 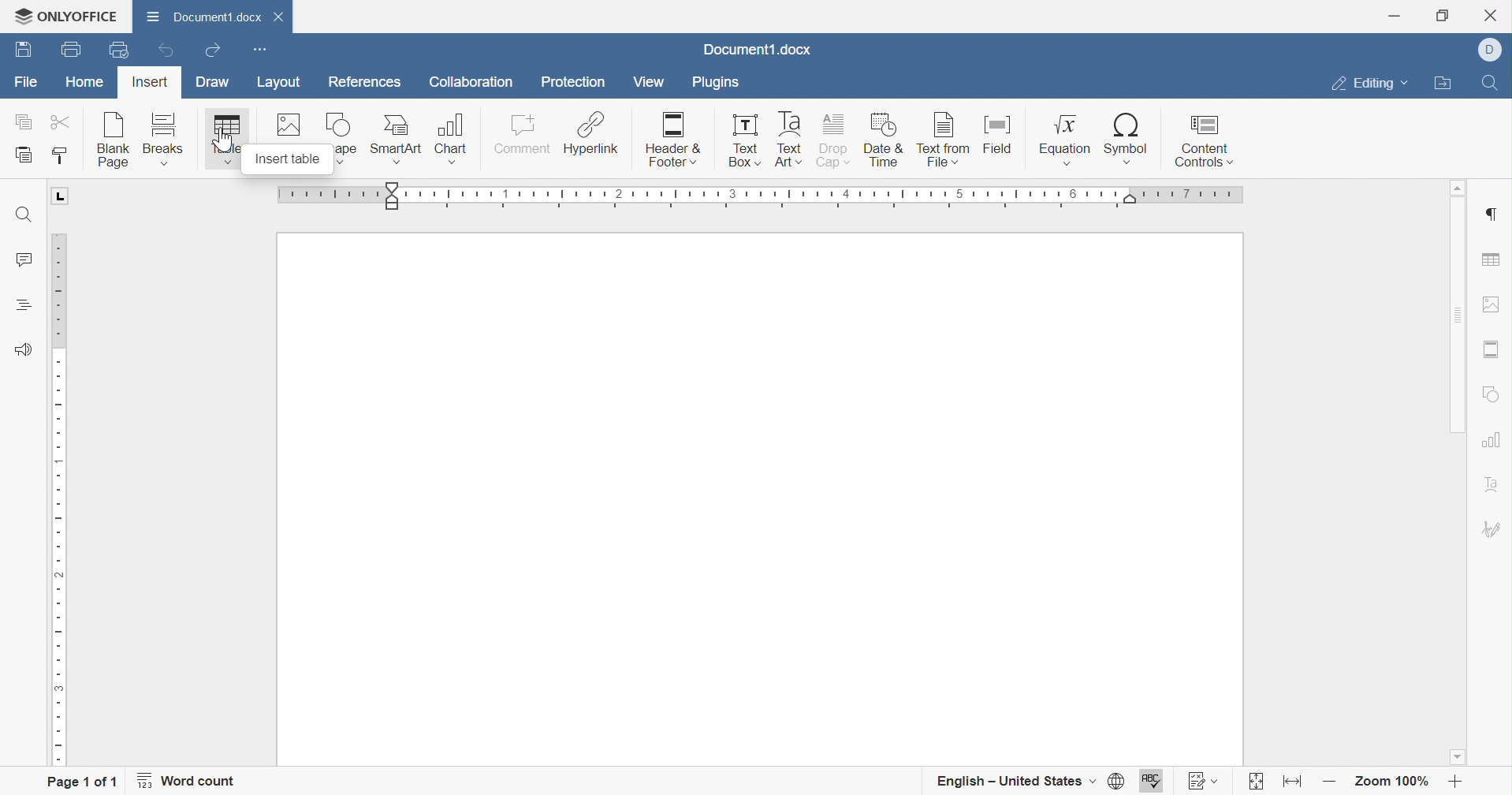 What do you see at coordinates (1496, 400) in the screenshot?
I see `Shape settings` at bounding box center [1496, 400].